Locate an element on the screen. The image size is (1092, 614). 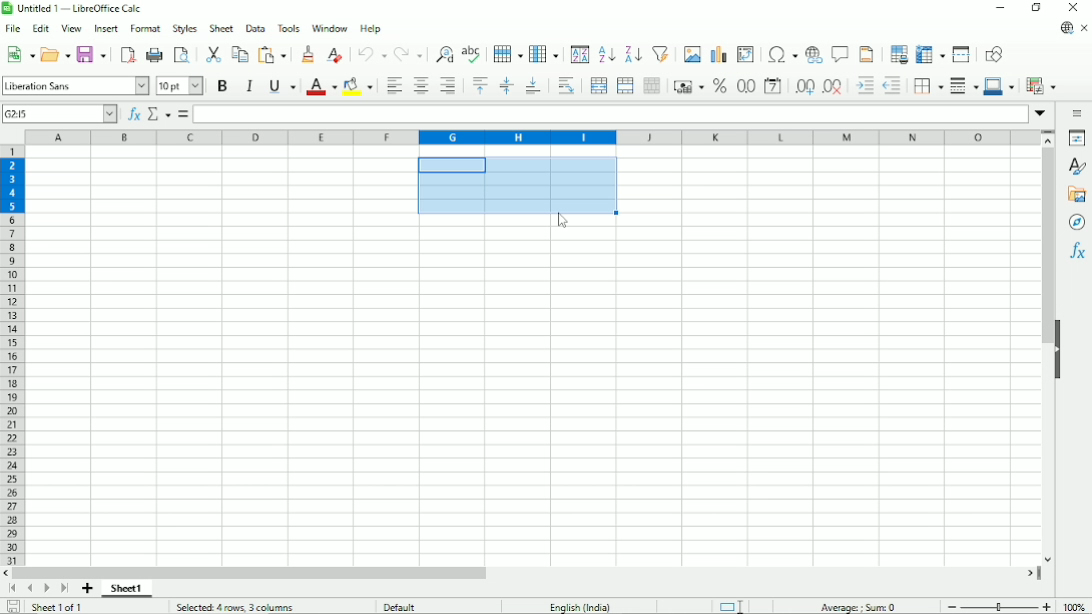
Save is located at coordinates (91, 55).